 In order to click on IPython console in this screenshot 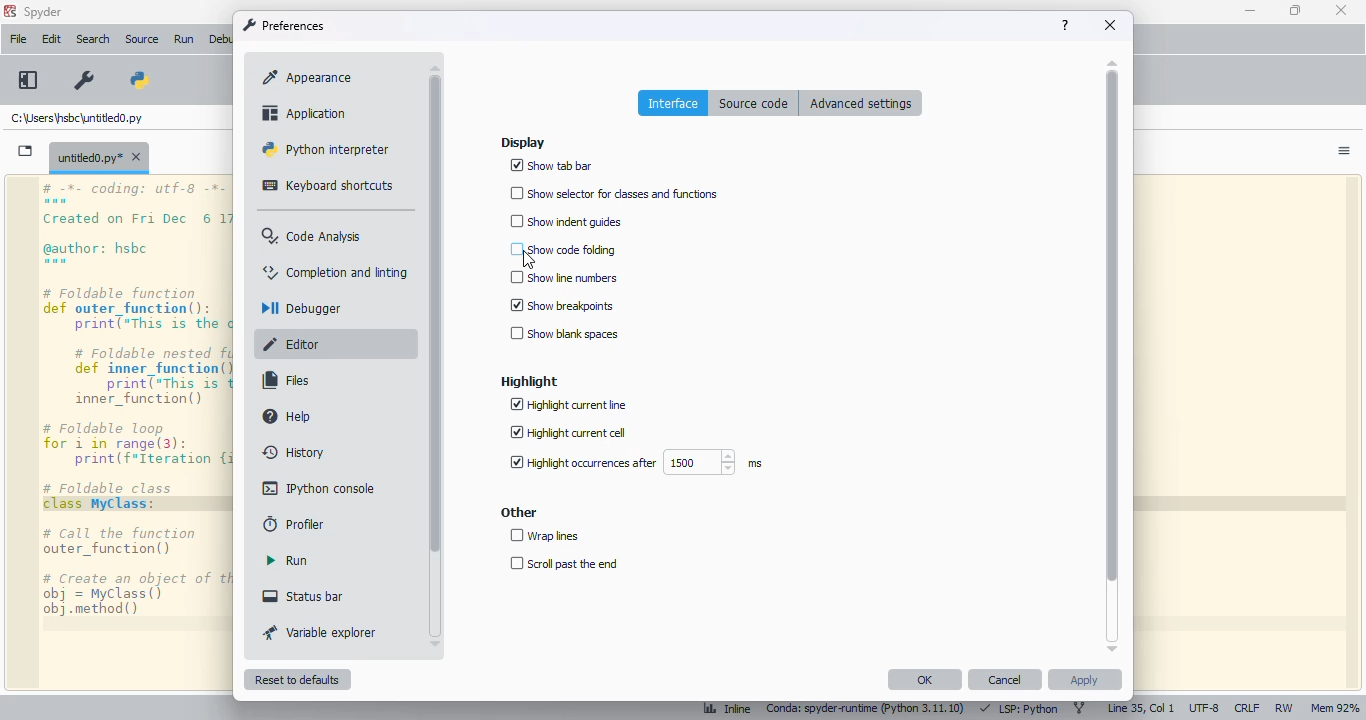, I will do `click(320, 488)`.